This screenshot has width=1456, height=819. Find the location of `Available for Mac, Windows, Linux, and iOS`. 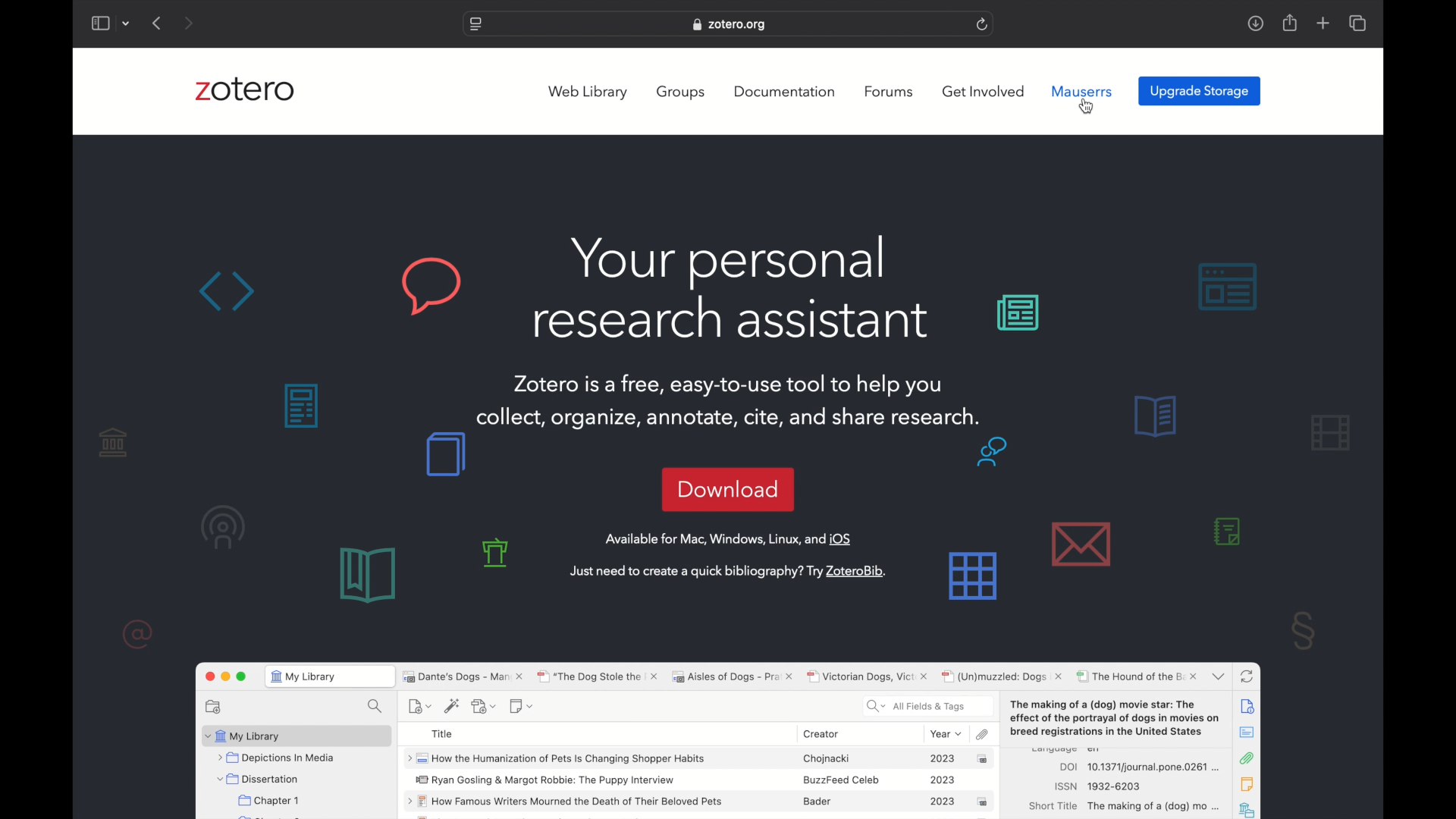

Available for Mac, Windows, Linux, and iOS is located at coordinates (730, 538).